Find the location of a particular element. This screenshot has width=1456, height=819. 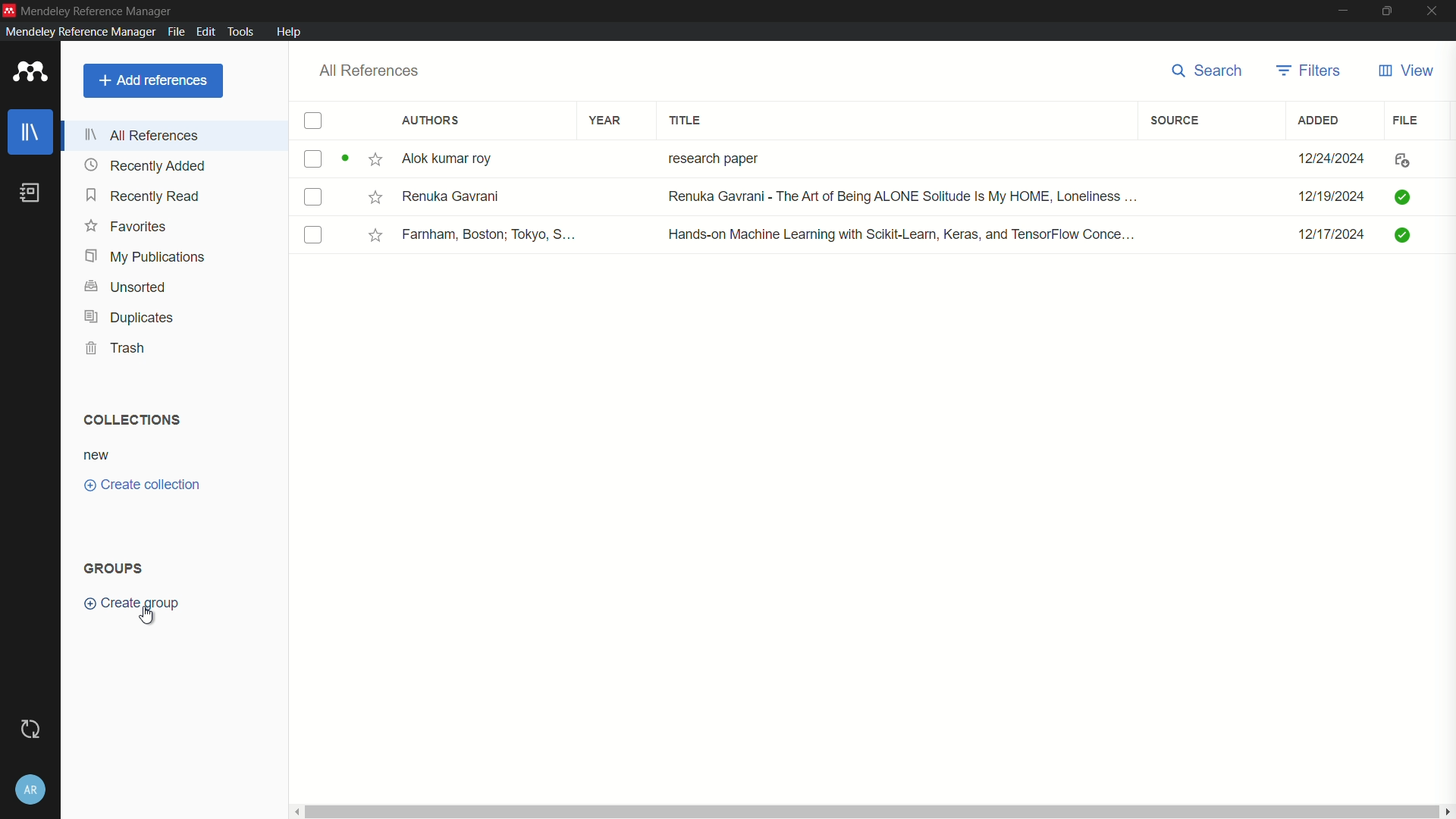

Date is located at coordinates (1334, 240).